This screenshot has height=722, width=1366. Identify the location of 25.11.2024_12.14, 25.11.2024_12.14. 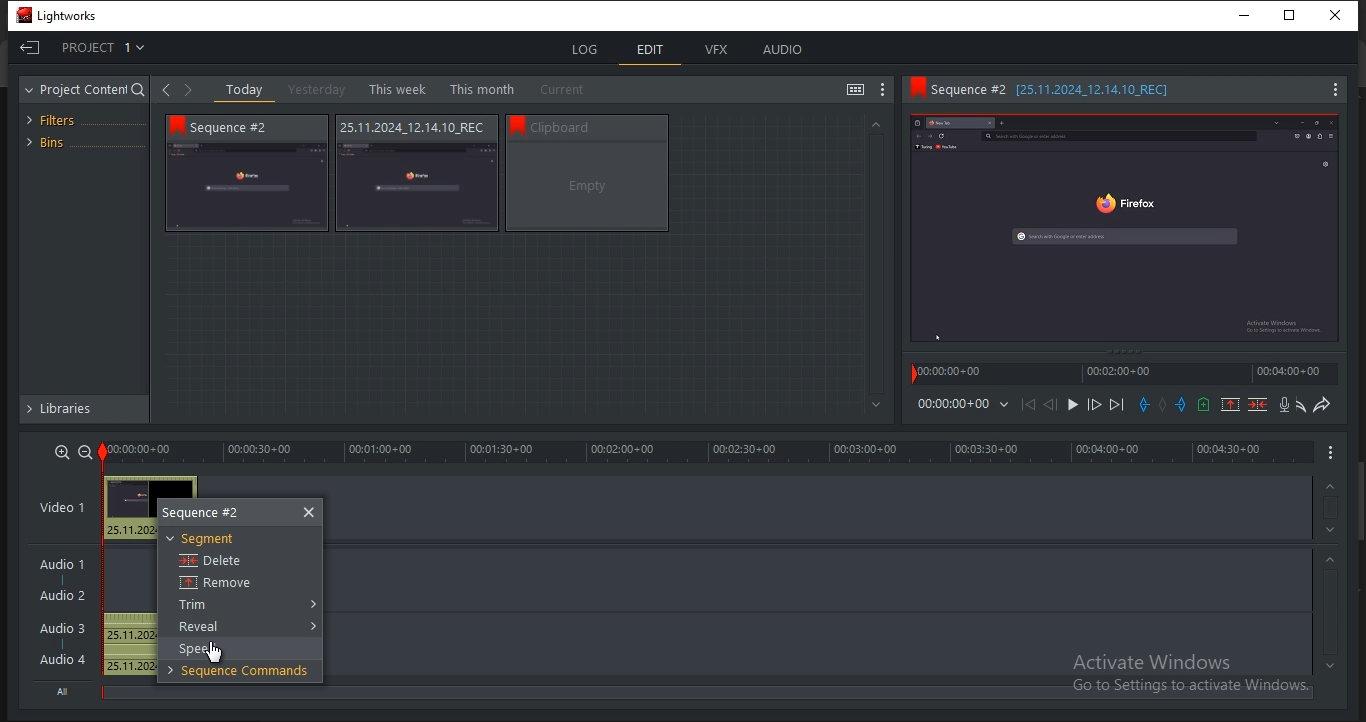
(129, 645).